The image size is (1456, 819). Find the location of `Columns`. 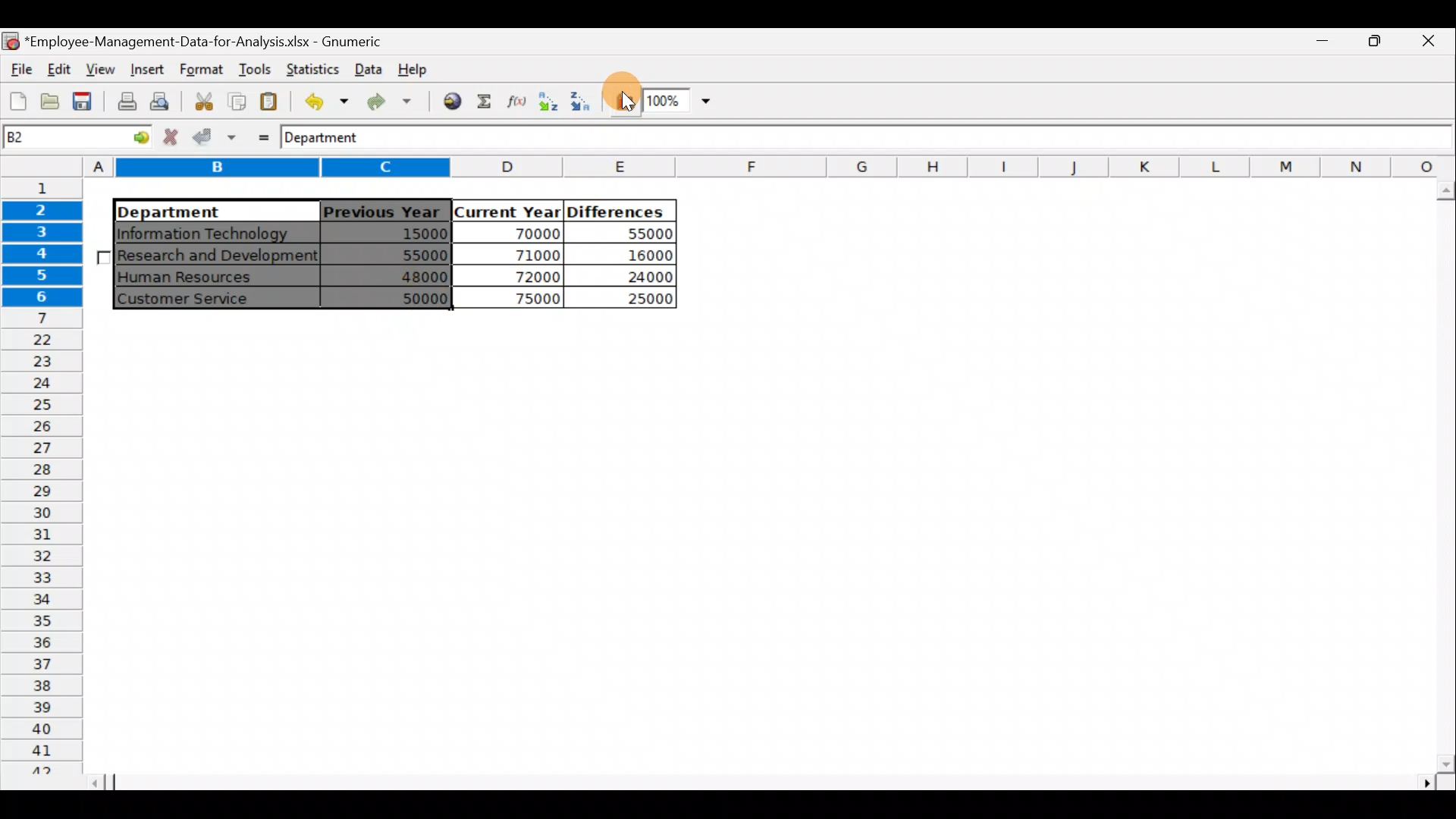

Columns is located at coordinates (770, 166).